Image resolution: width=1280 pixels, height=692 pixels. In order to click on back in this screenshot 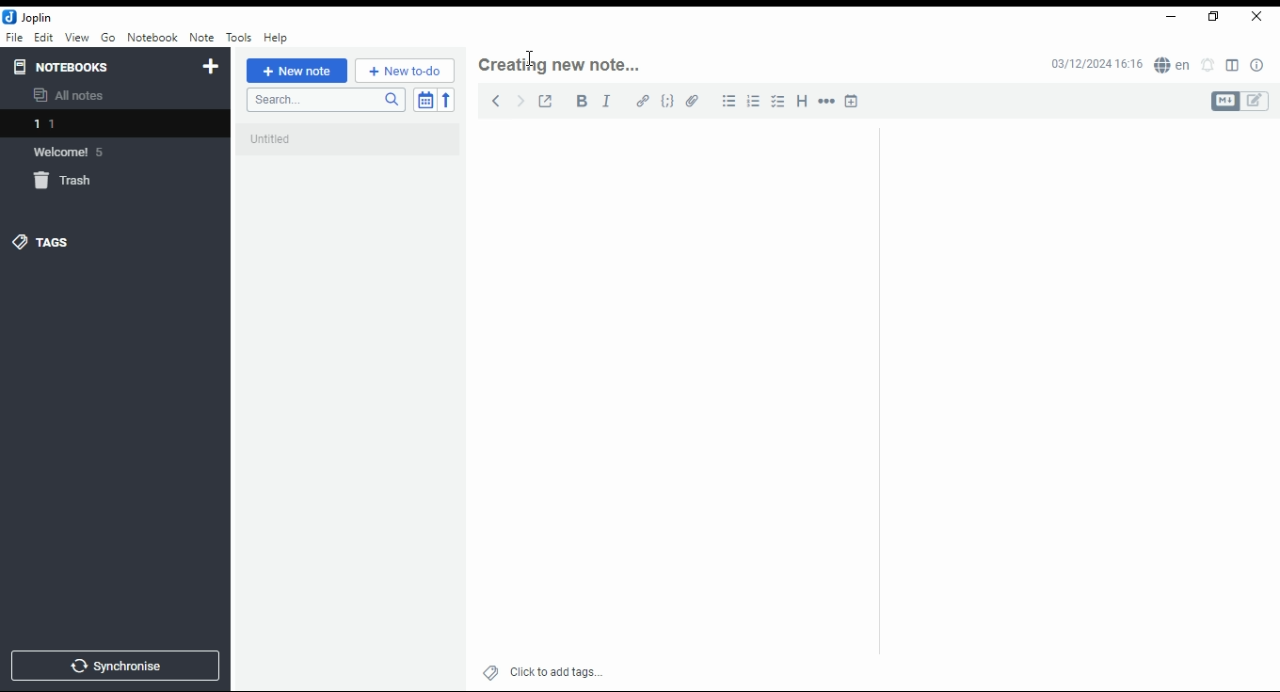, I will do `click(496, 100)`.